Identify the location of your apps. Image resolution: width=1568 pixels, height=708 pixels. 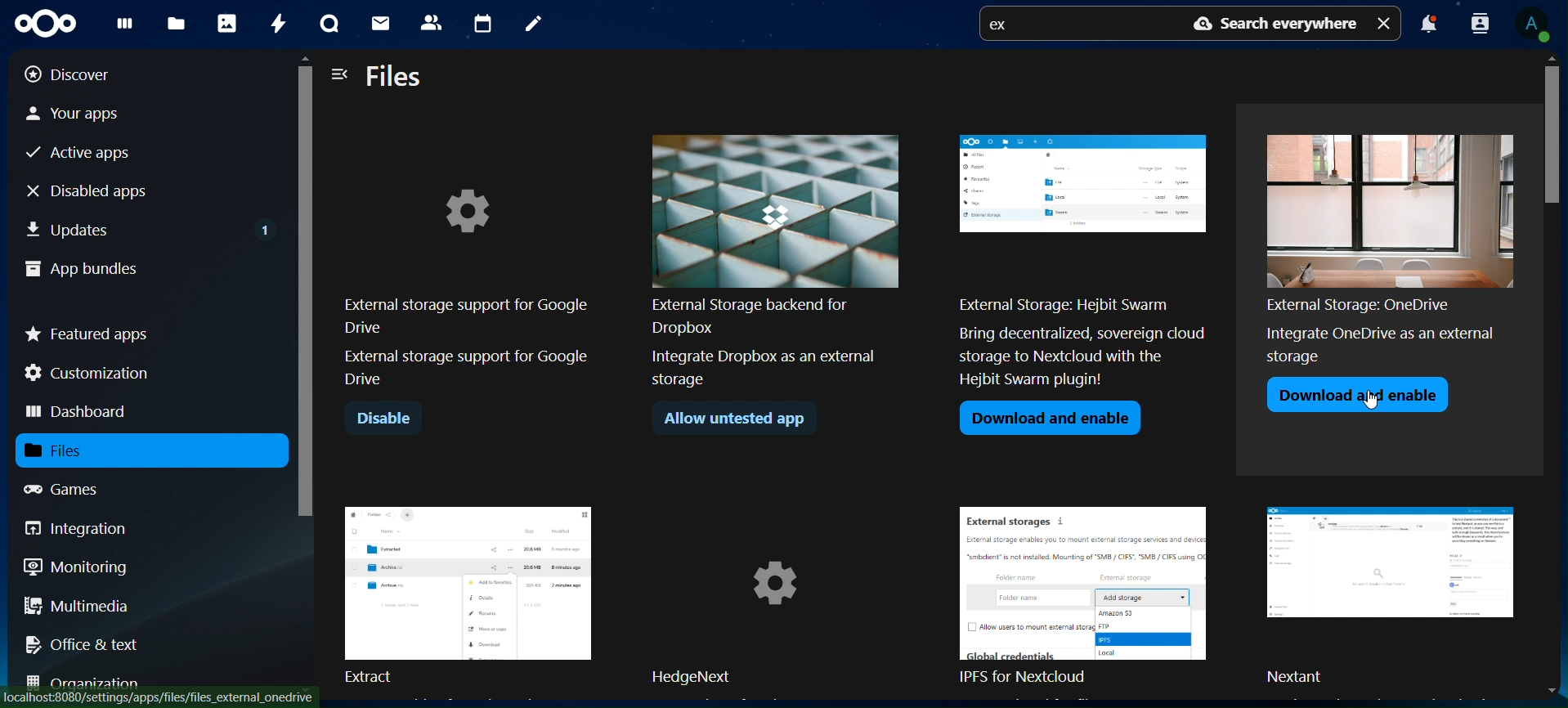
(89, 112).